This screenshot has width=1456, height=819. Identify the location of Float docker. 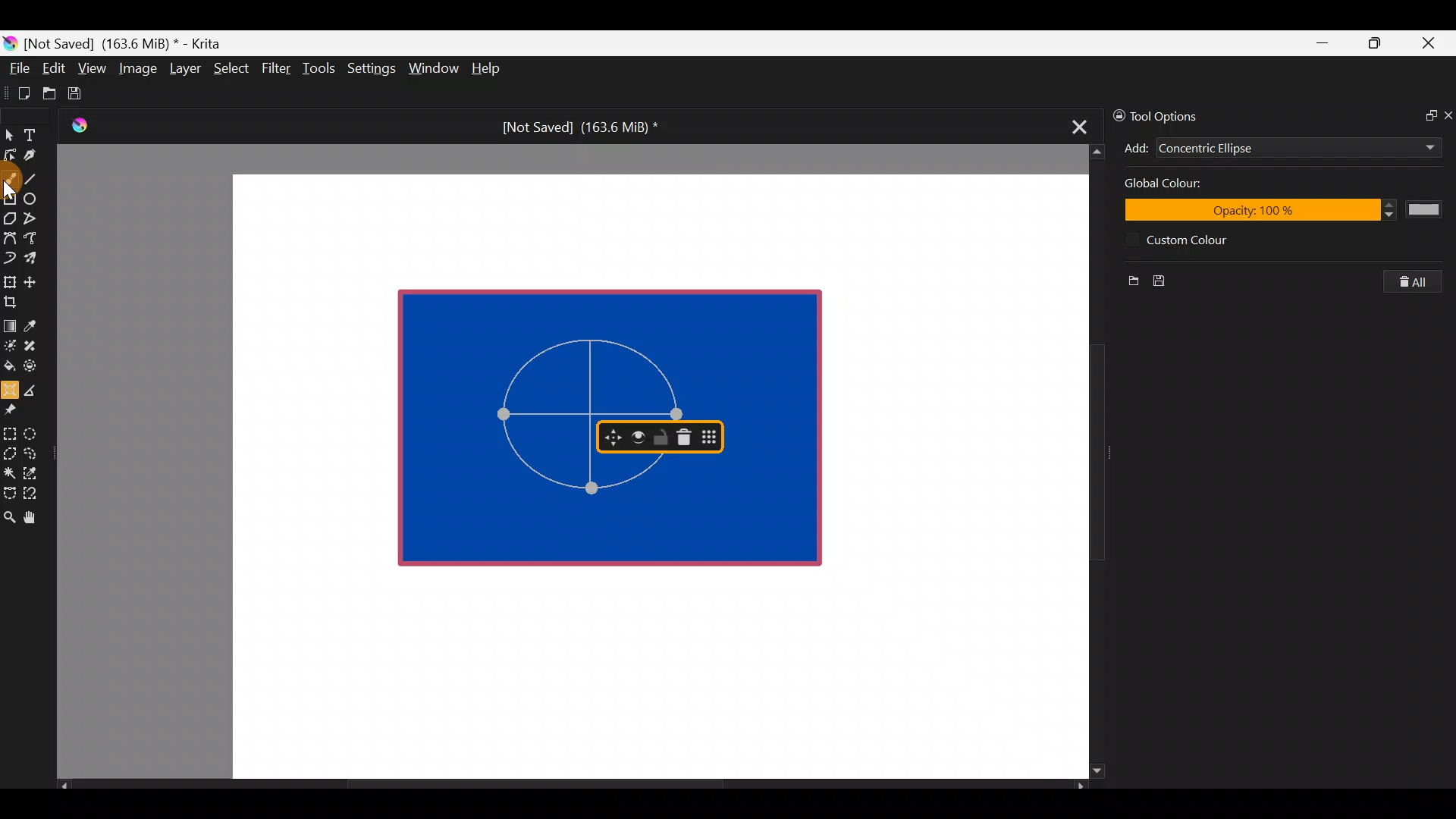
(1424, 114).